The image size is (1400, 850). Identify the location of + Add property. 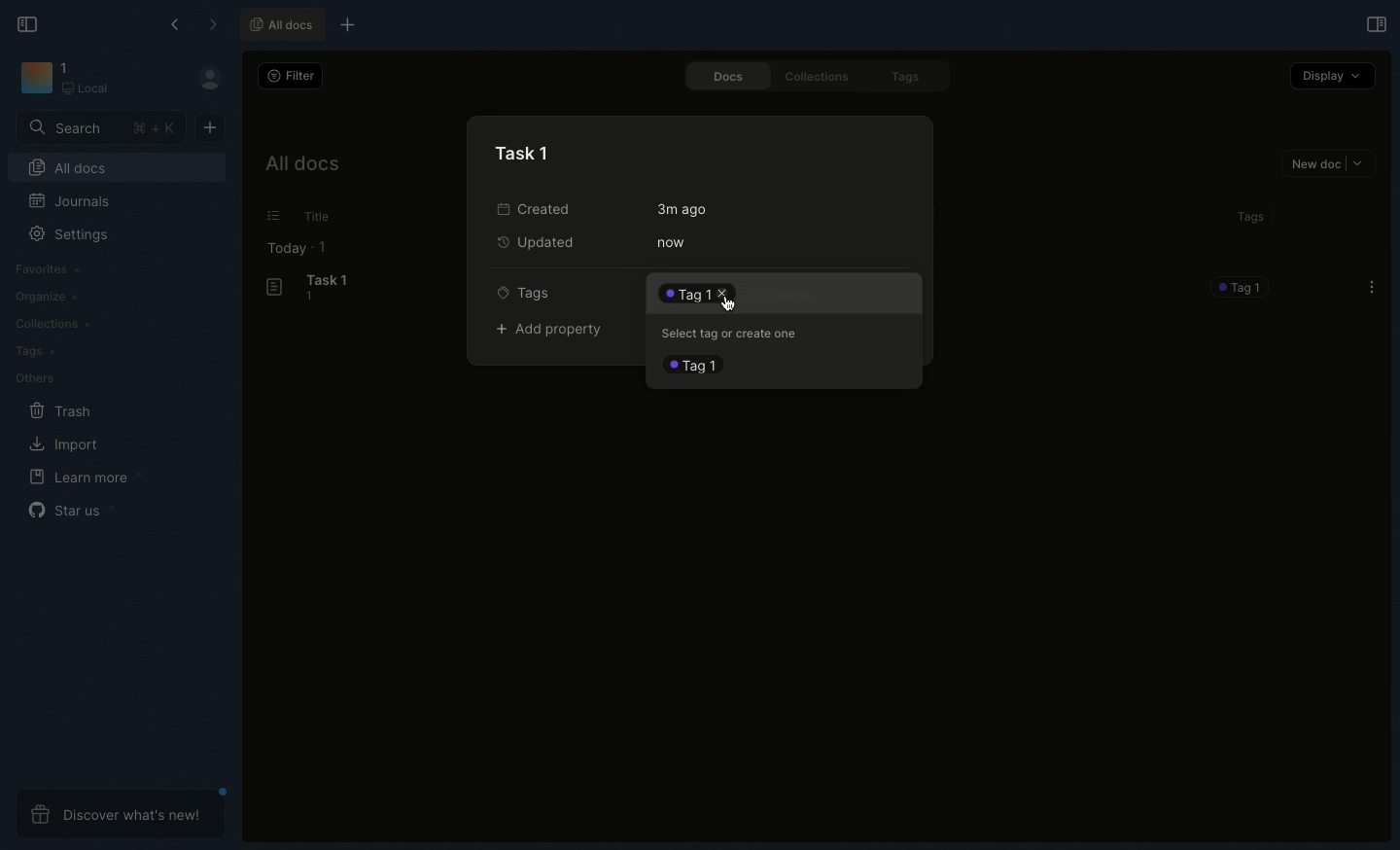
(557, 331).